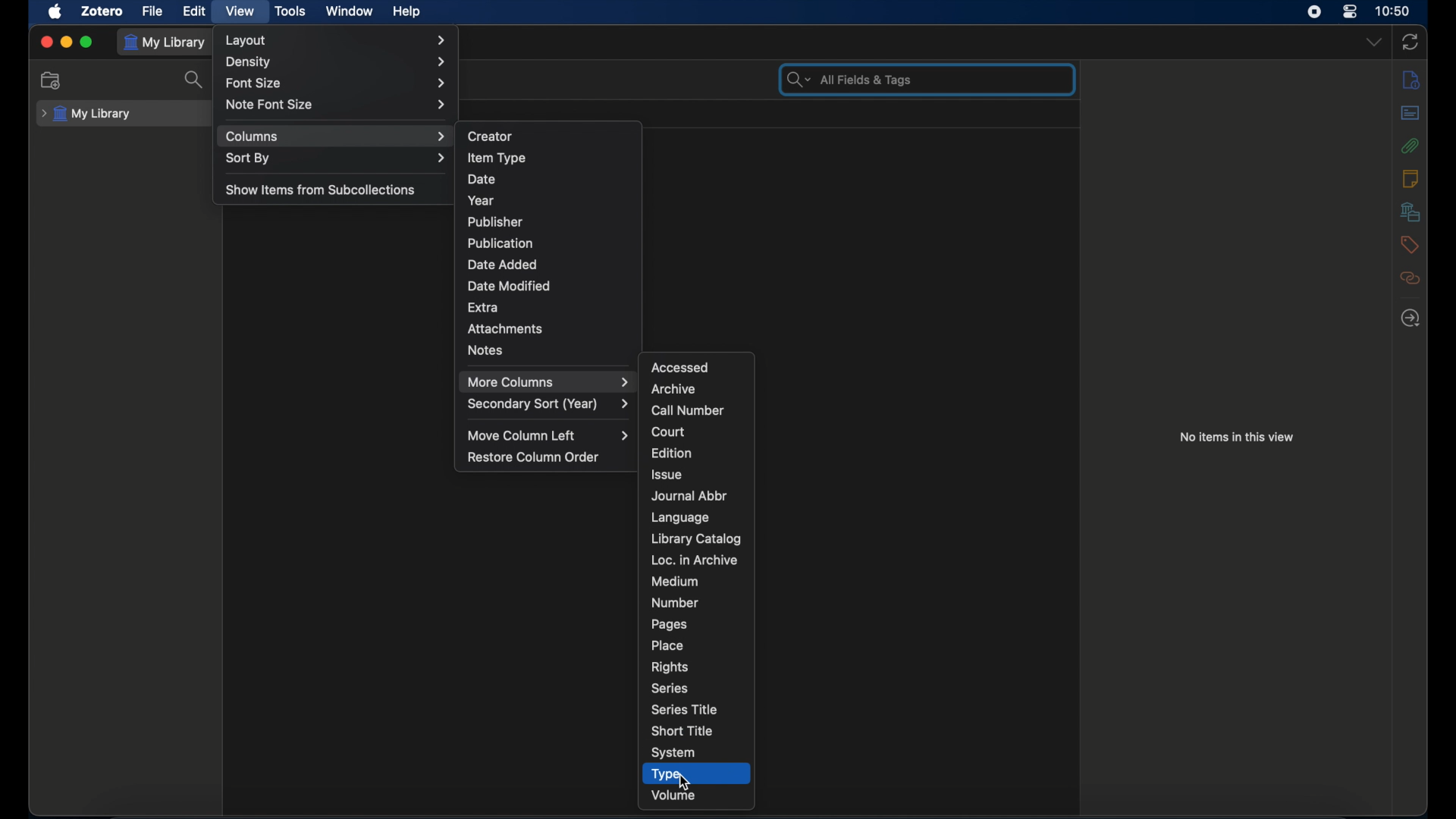  Describe the element at coordinates (103, 11) in the screenshot. I see `zotero` at that location.